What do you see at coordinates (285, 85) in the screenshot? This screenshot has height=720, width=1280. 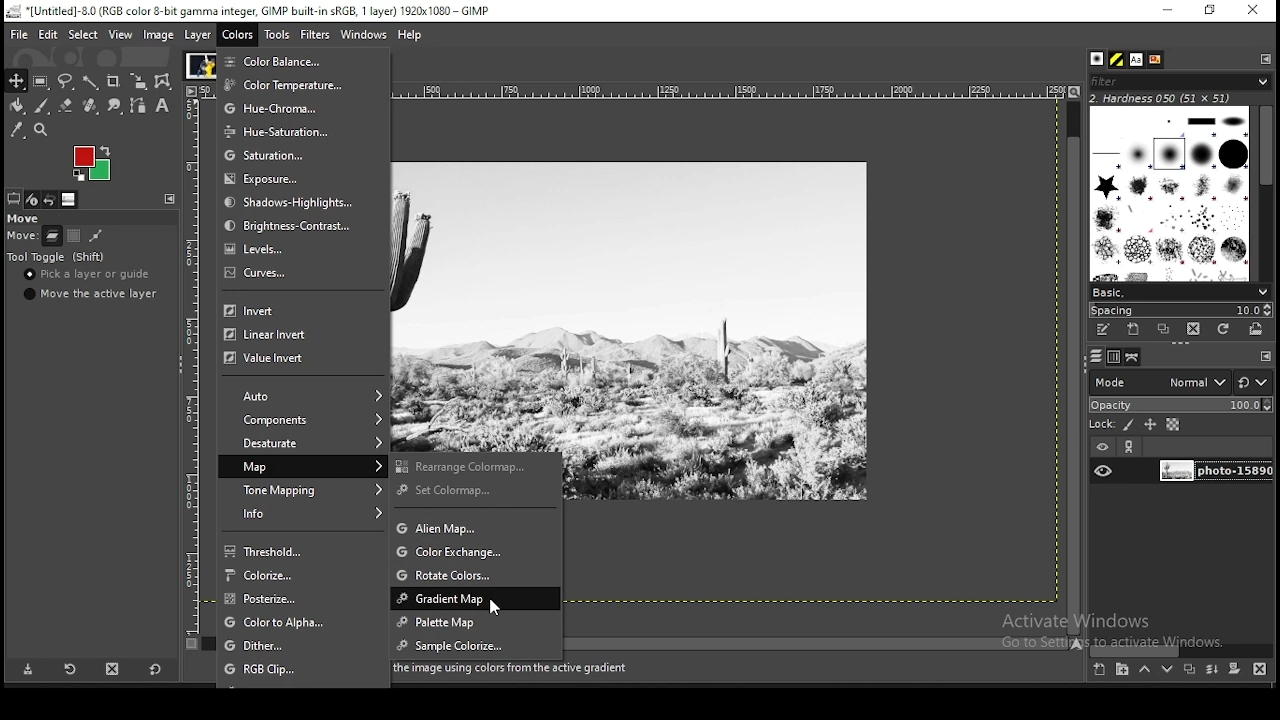 I see `color temperature` at bounding box center [285, 85].